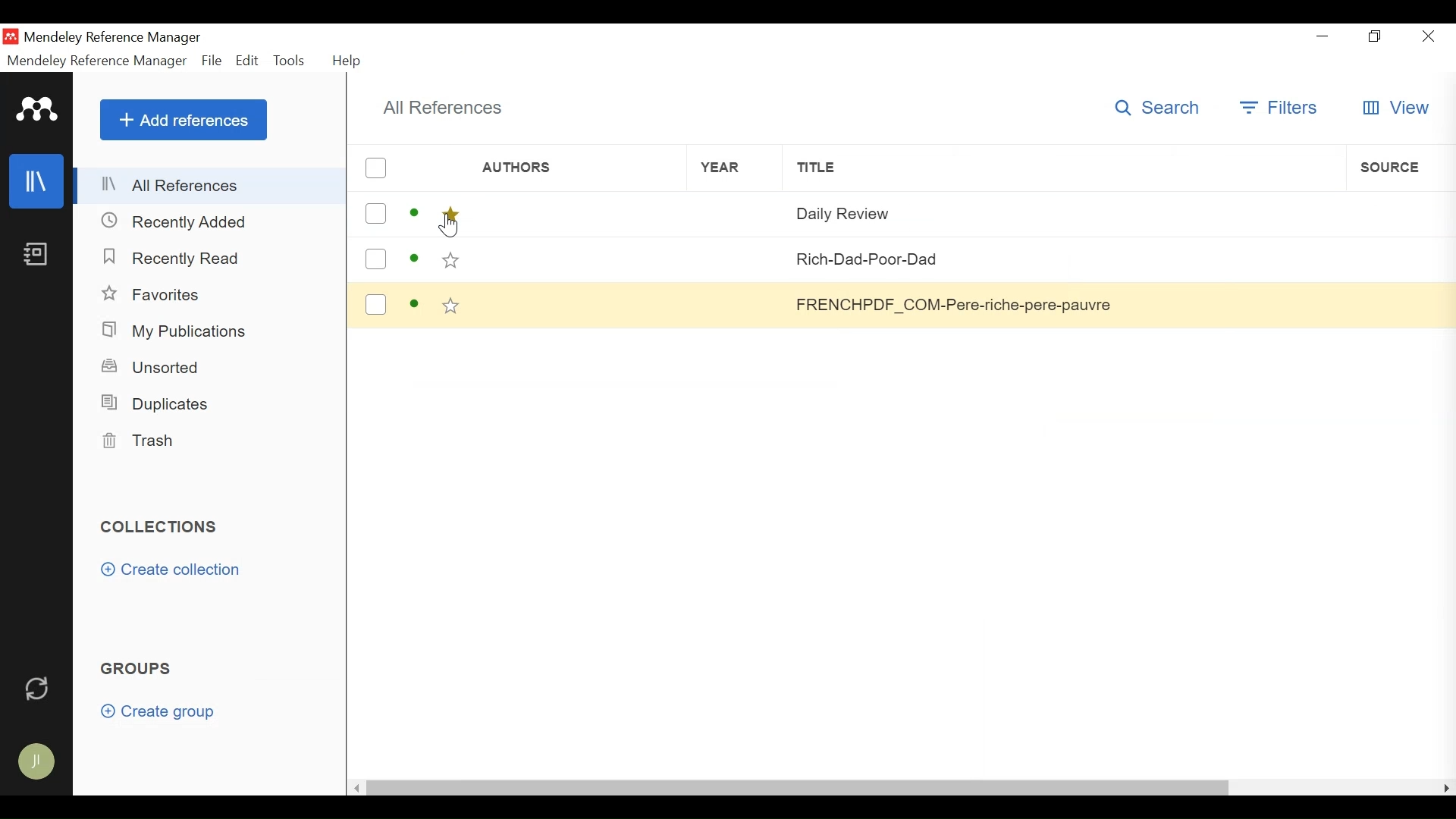 Image resolution: width=1456 pixels, height=819 pixels. I want to click on Mendeley Desktop Icon, so click(11, 37).